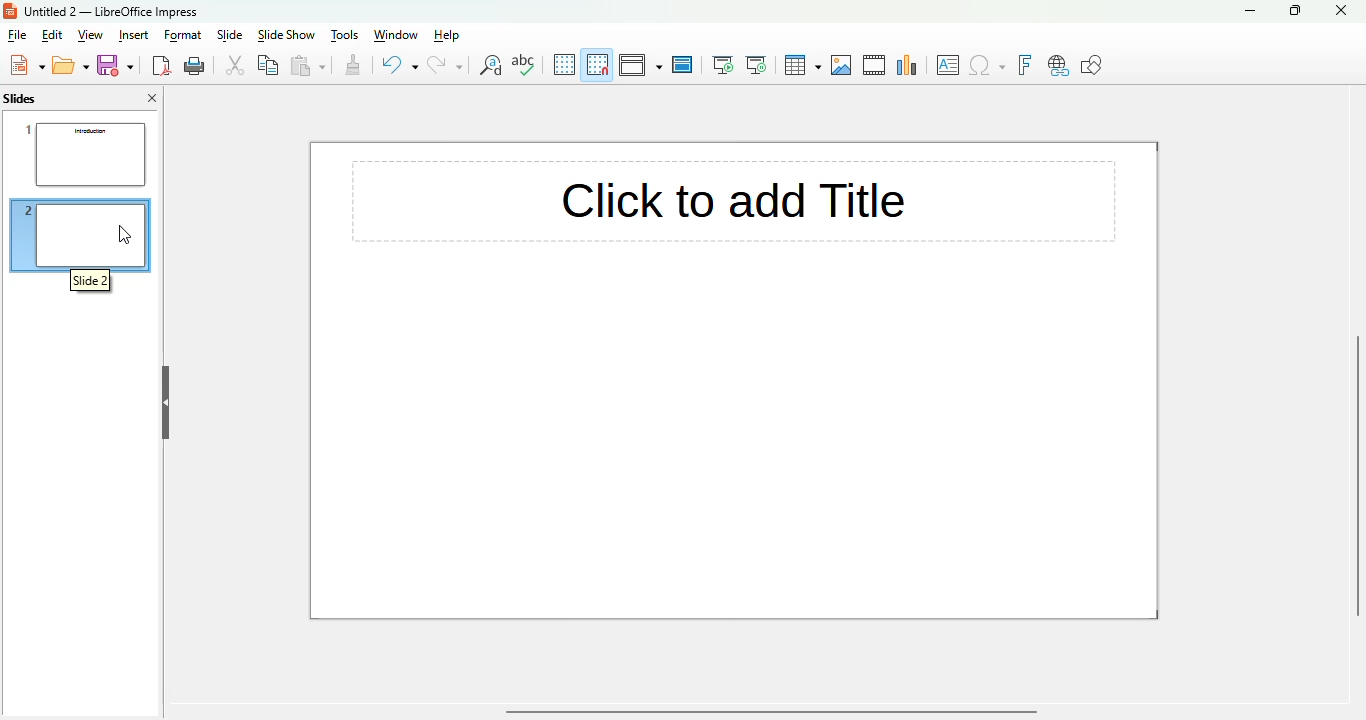 The width and height of the screenshot is (1366, 720). I want to click on click to add title, so click(622, 201).